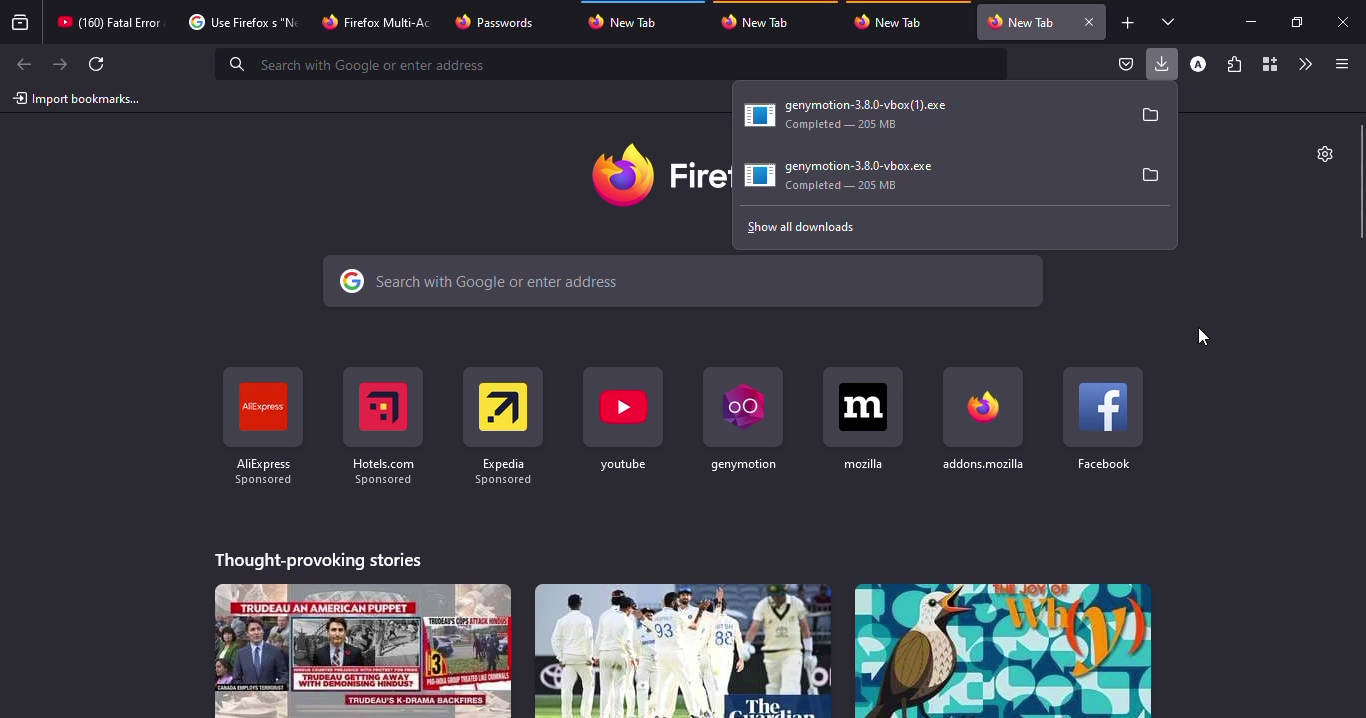 Image resolution: width=1366 pixels, height=718 pixels. I want to click on back, so click(21, 65).